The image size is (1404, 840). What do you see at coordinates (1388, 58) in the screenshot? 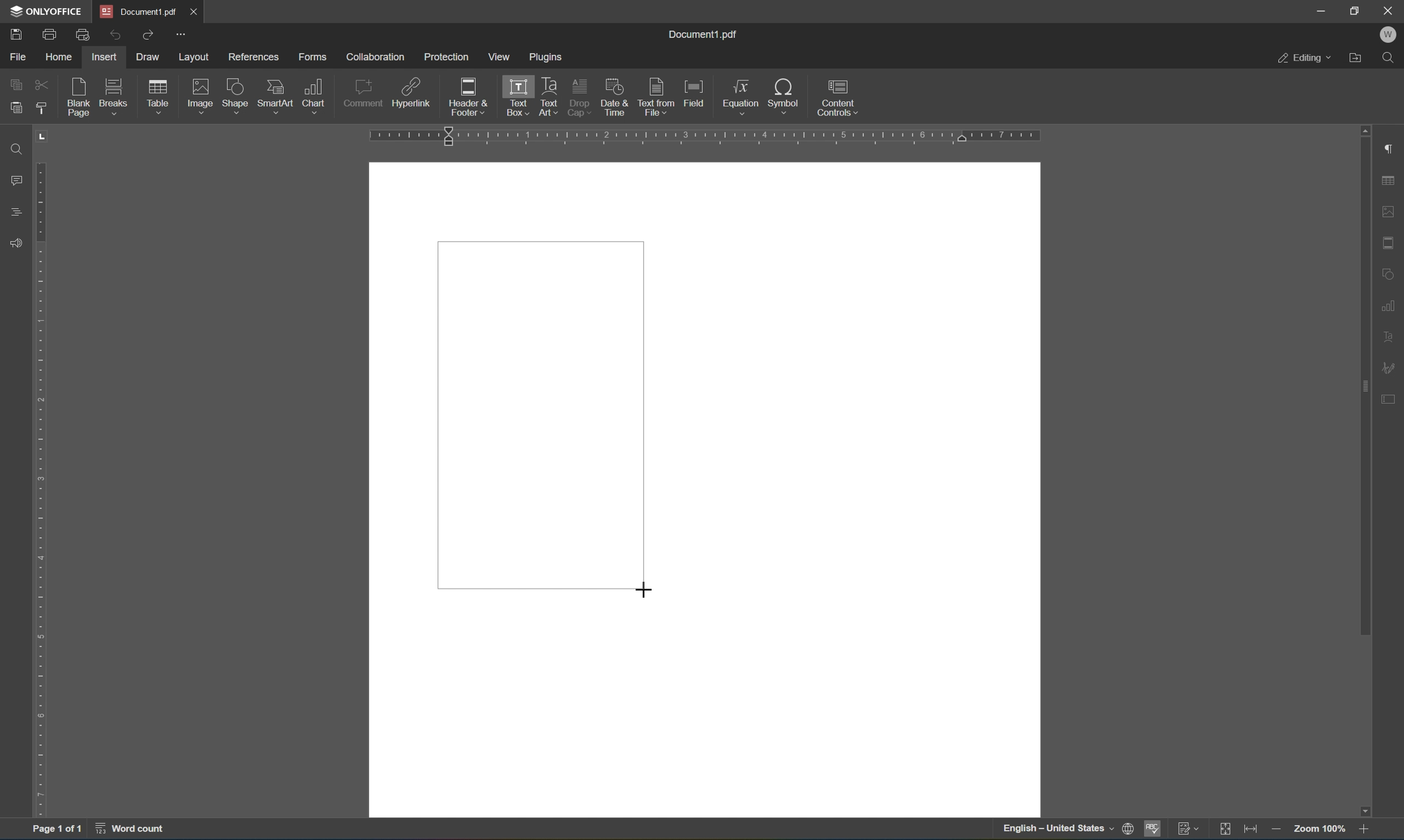
I see `Find` at bounding box center [1388, 58].